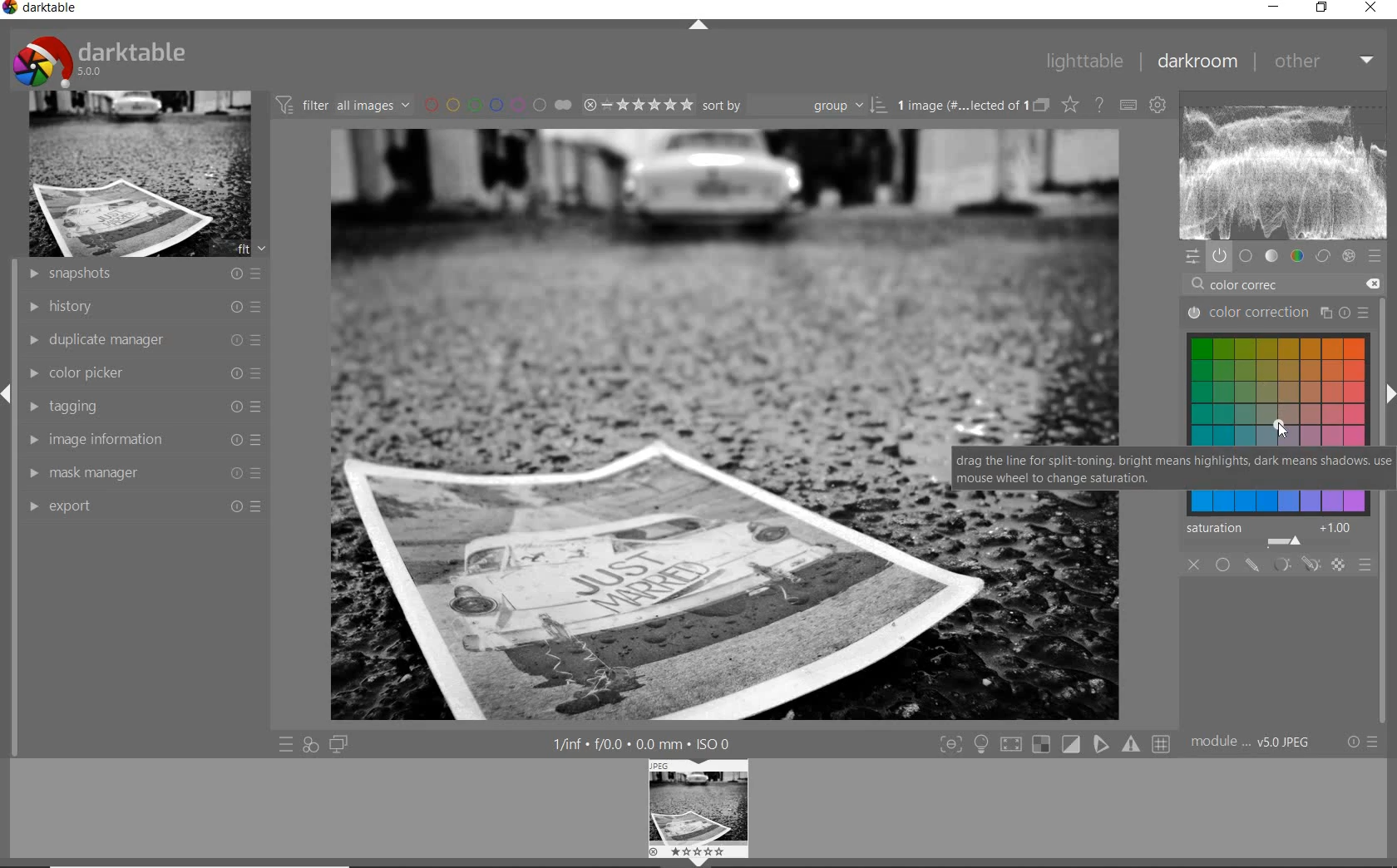 Image resolution: width=1397 pixels, height=868 pixels. I want to click on mask manager, so click(146, 471).